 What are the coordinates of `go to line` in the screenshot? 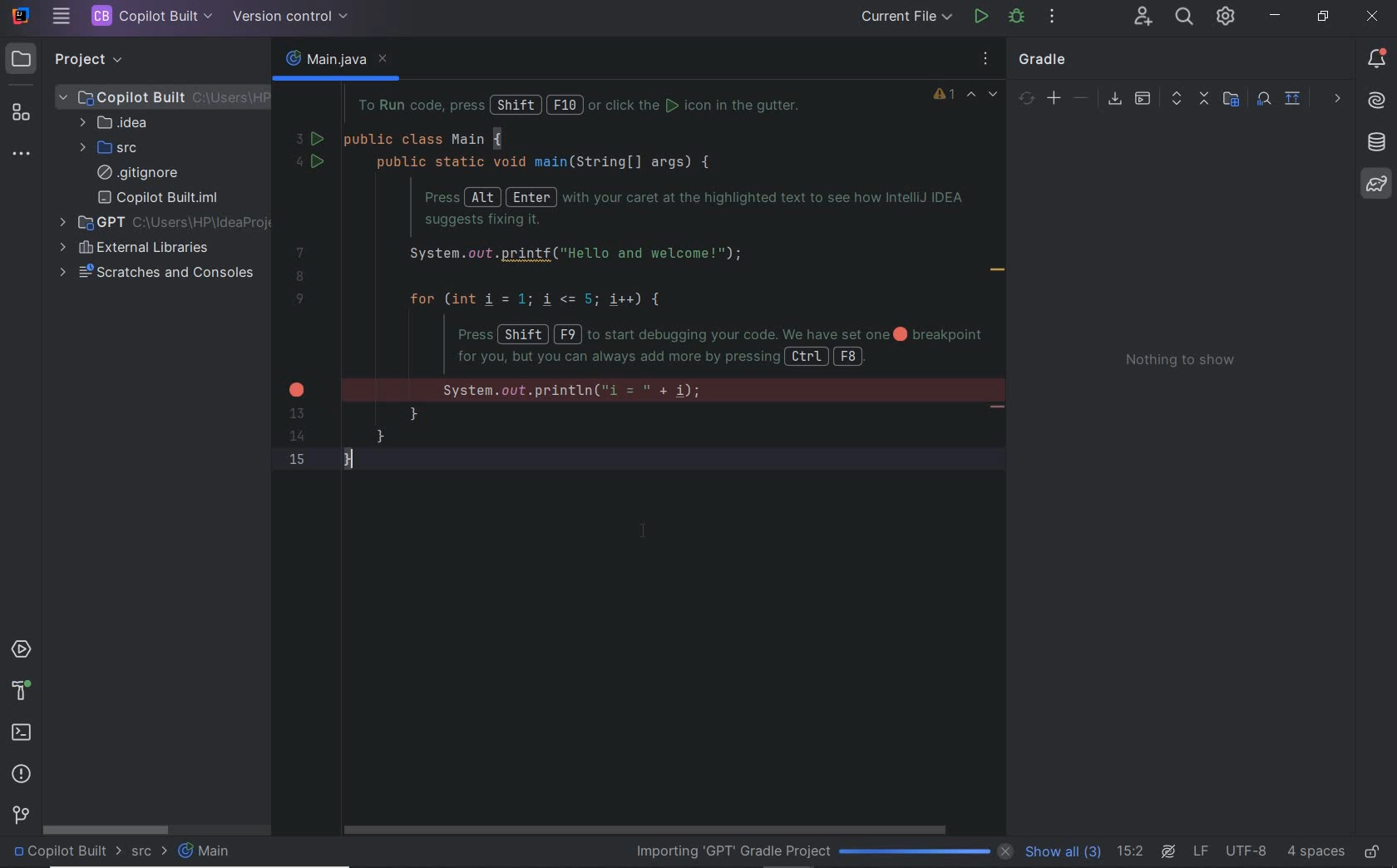 It's located at (1130, 851).